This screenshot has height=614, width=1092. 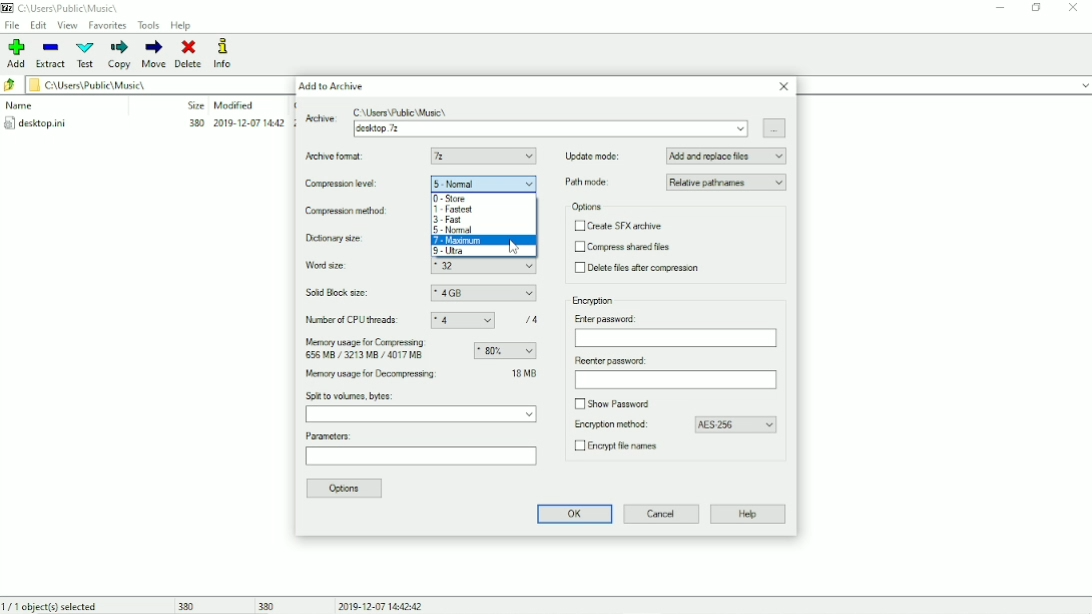 I want to click on Number of CPU threads, so click(x=354, y=320).